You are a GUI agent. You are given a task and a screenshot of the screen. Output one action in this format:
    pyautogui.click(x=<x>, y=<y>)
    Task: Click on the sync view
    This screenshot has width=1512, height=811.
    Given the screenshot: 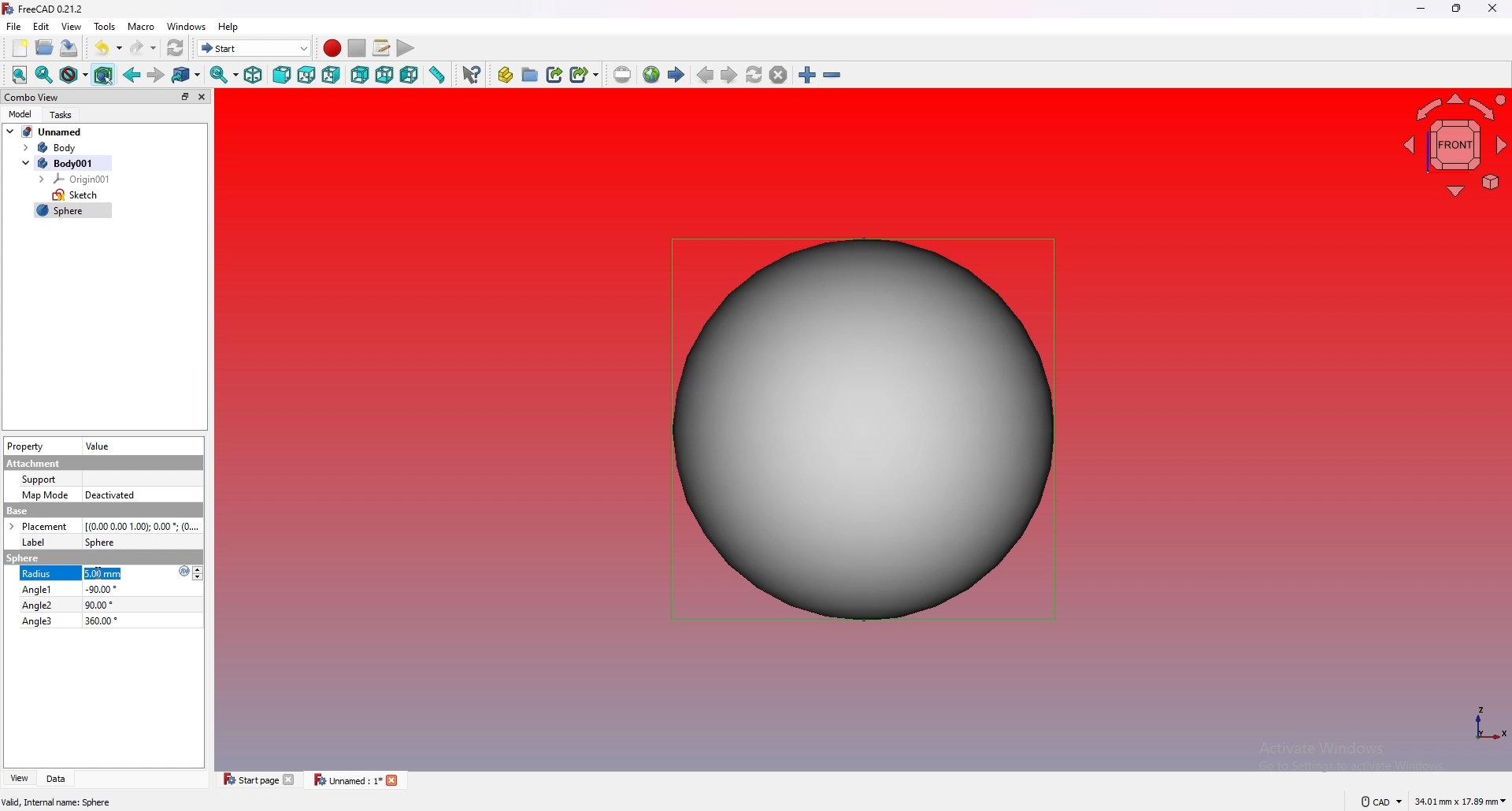 What is the action you would take?
    pyautogui.click(x=224, y=75)
    